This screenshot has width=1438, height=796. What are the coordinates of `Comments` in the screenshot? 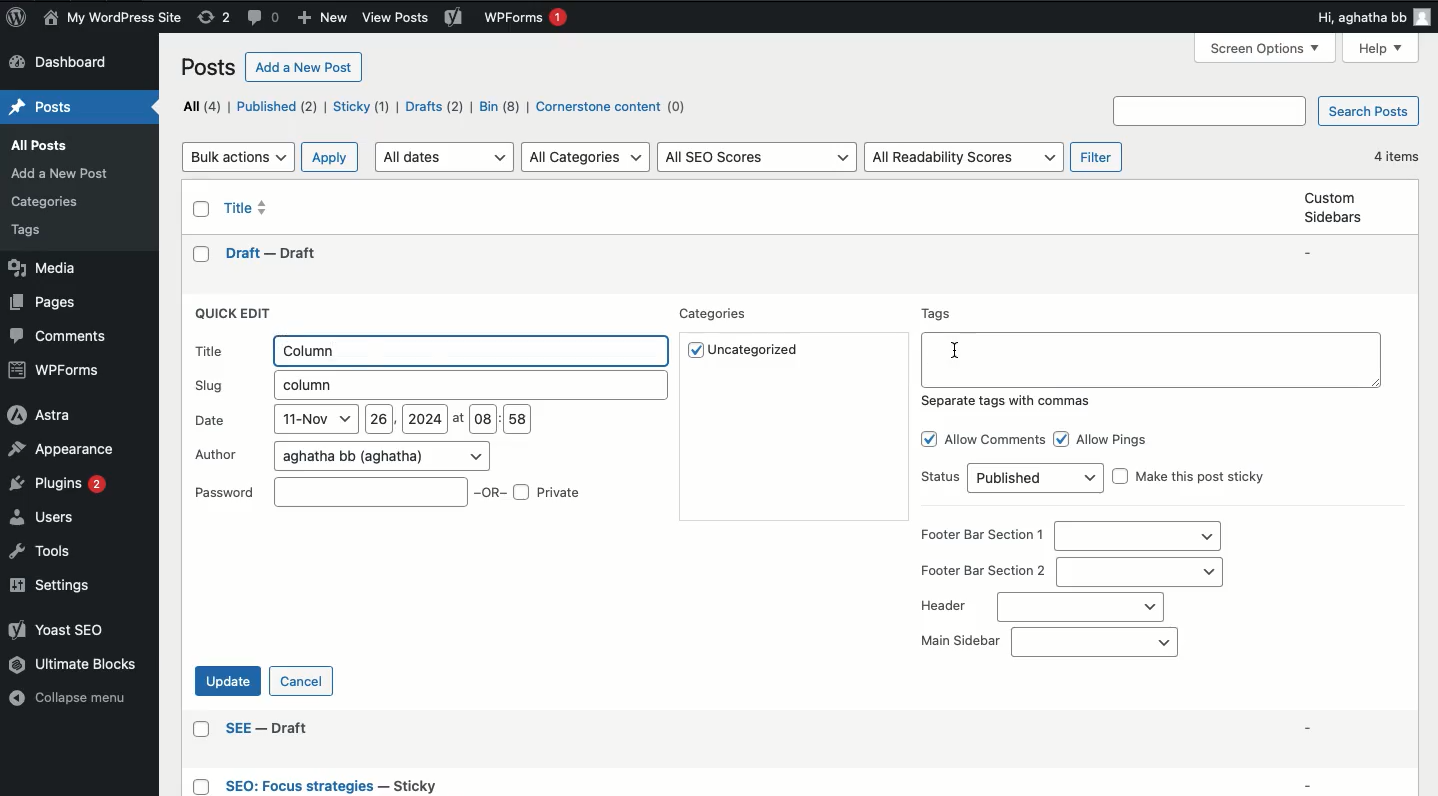 It's located at (56, 337).